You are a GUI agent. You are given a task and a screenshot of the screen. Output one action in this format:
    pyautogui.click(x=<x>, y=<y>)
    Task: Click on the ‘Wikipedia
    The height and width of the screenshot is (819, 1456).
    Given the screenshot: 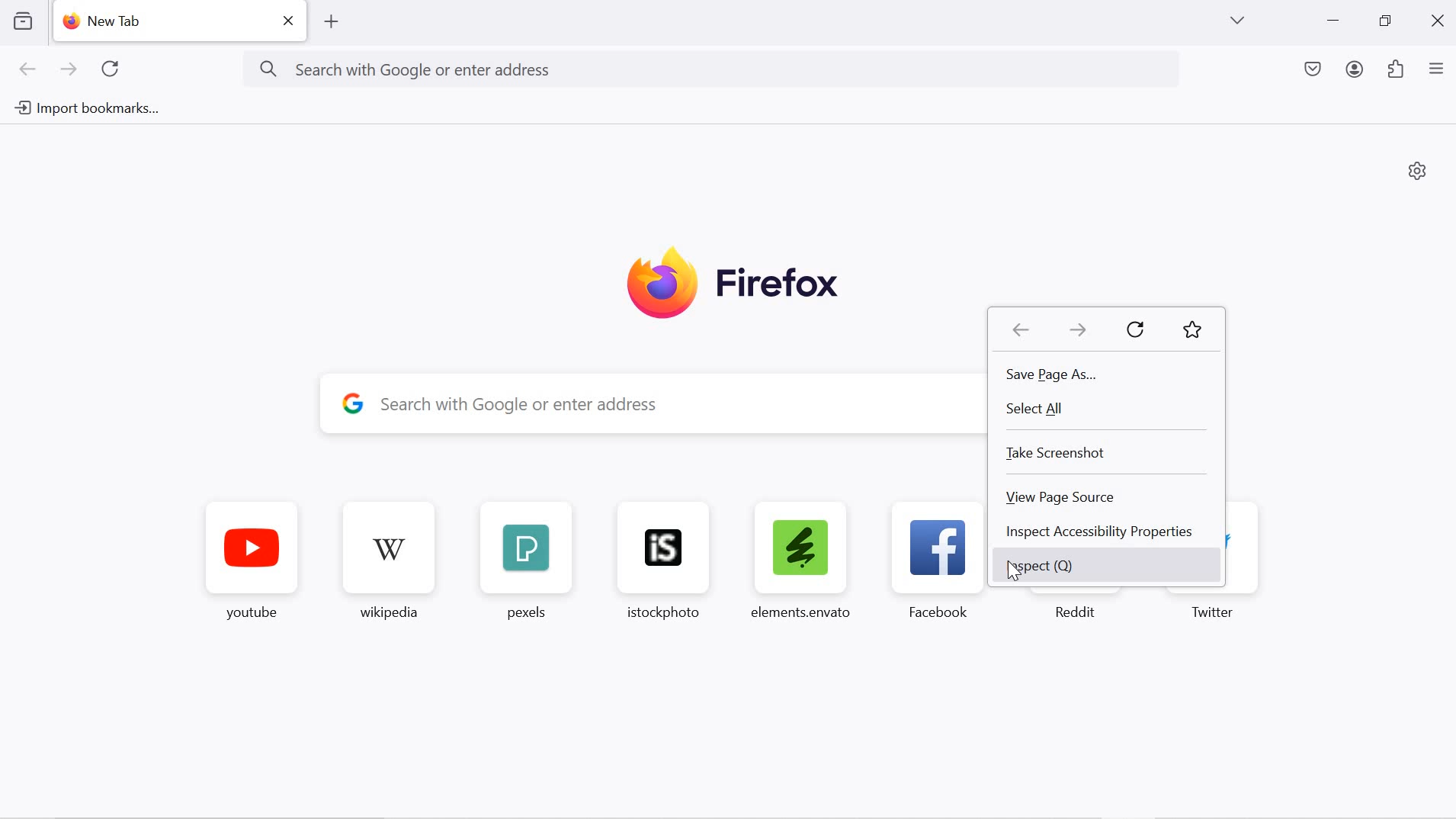 What is the action you would take?
    pyautogui.click(x=391, y=564)
    